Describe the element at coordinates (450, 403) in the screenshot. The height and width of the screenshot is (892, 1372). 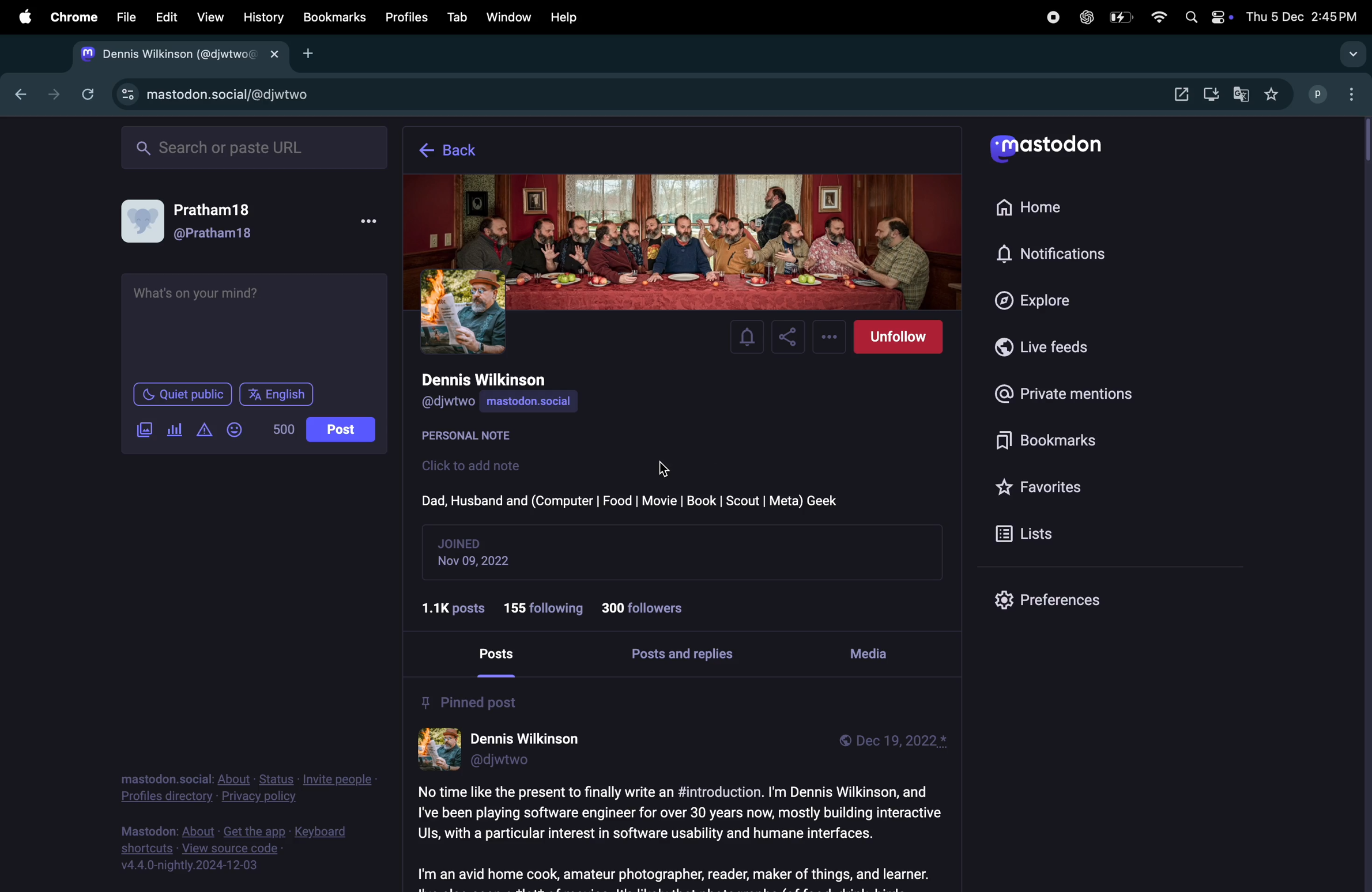
I see `userid` at that location.